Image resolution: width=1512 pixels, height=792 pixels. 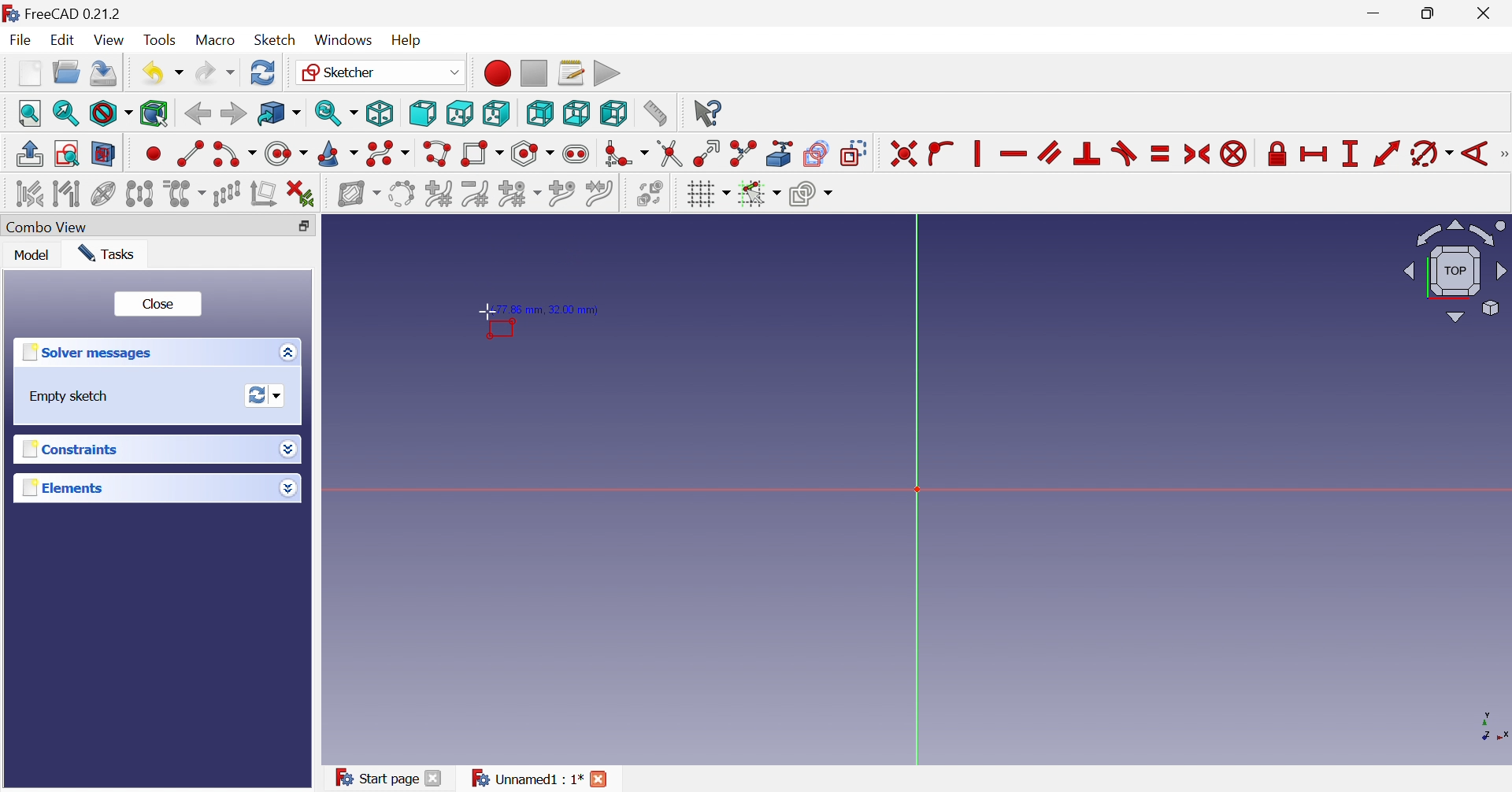 I want to click on Insert knot, so click(x=562, y=196).